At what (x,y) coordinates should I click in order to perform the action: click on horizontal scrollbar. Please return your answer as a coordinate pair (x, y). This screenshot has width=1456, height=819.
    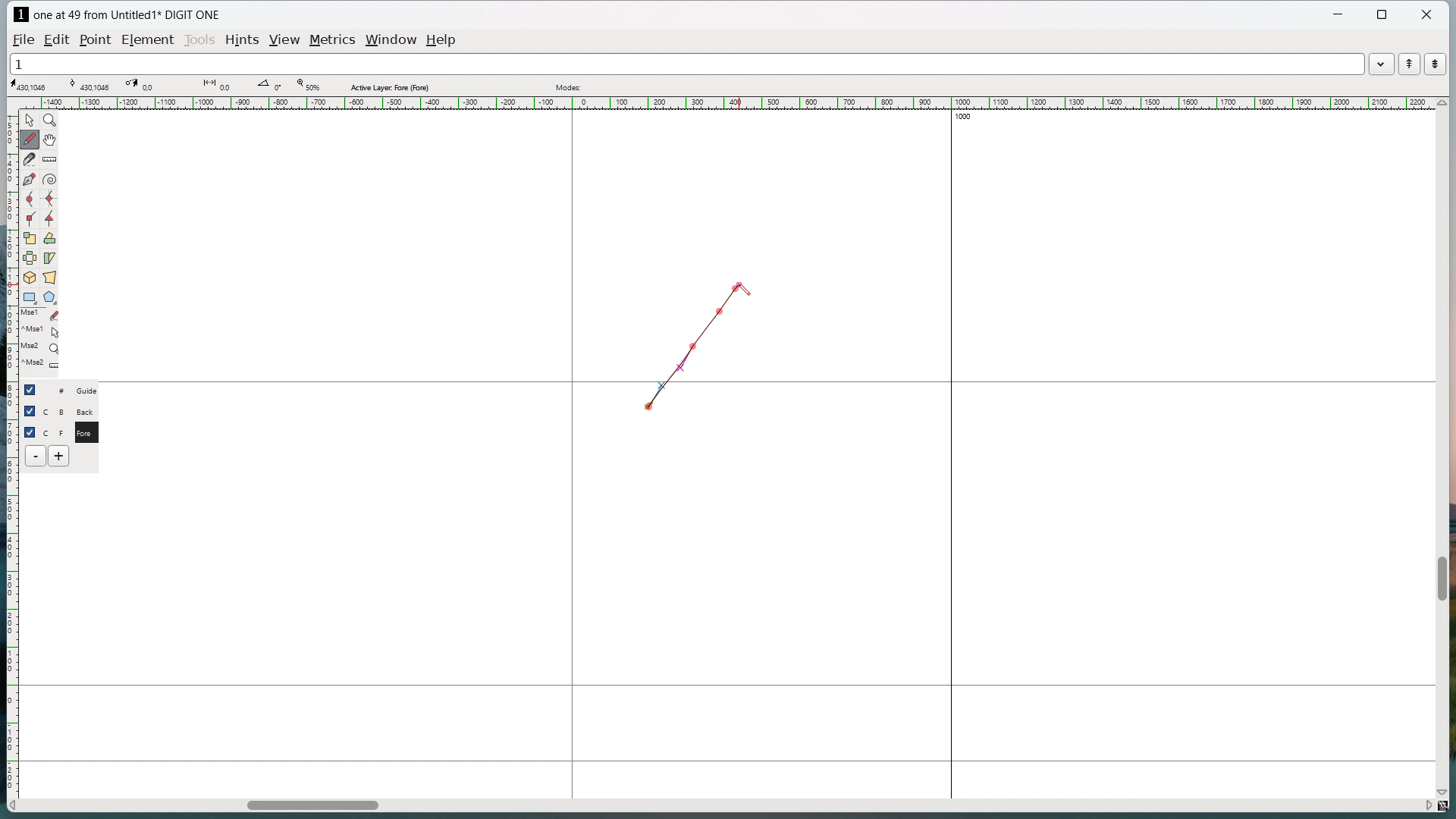
    Looking at the image, I should click on (312, 808).